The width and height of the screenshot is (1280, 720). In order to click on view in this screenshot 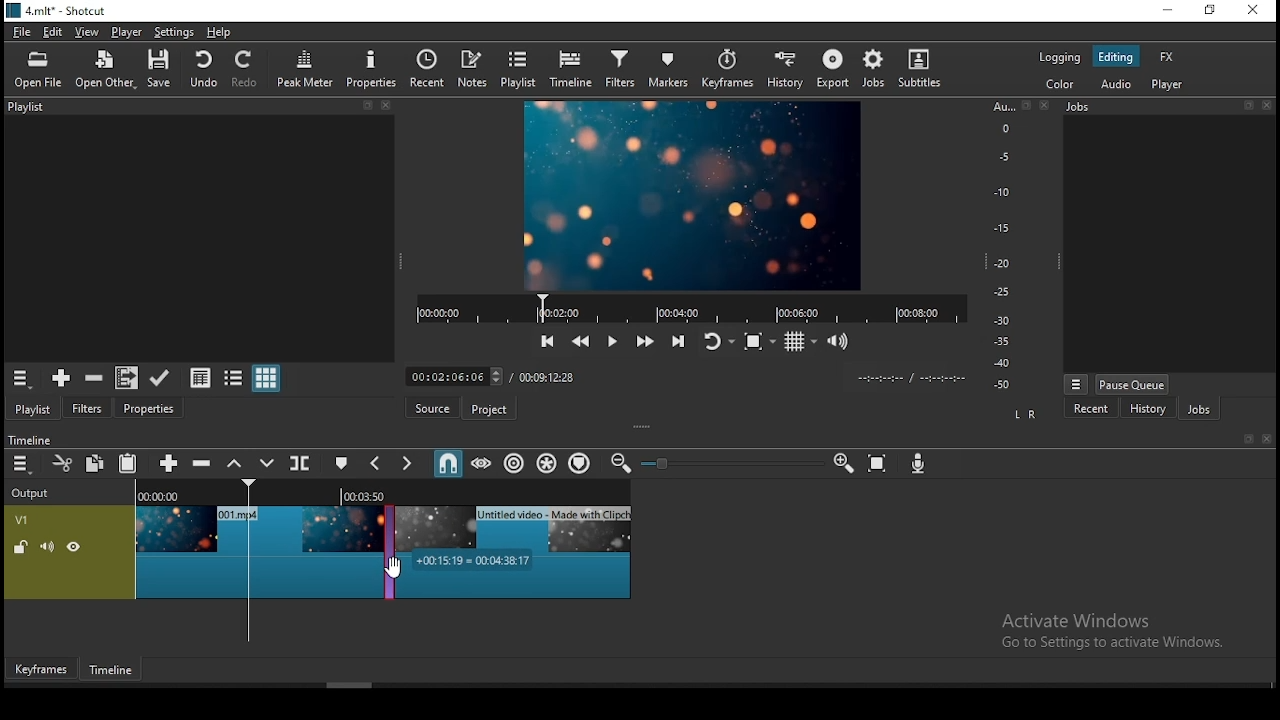, I will do `click(85, 31)`.